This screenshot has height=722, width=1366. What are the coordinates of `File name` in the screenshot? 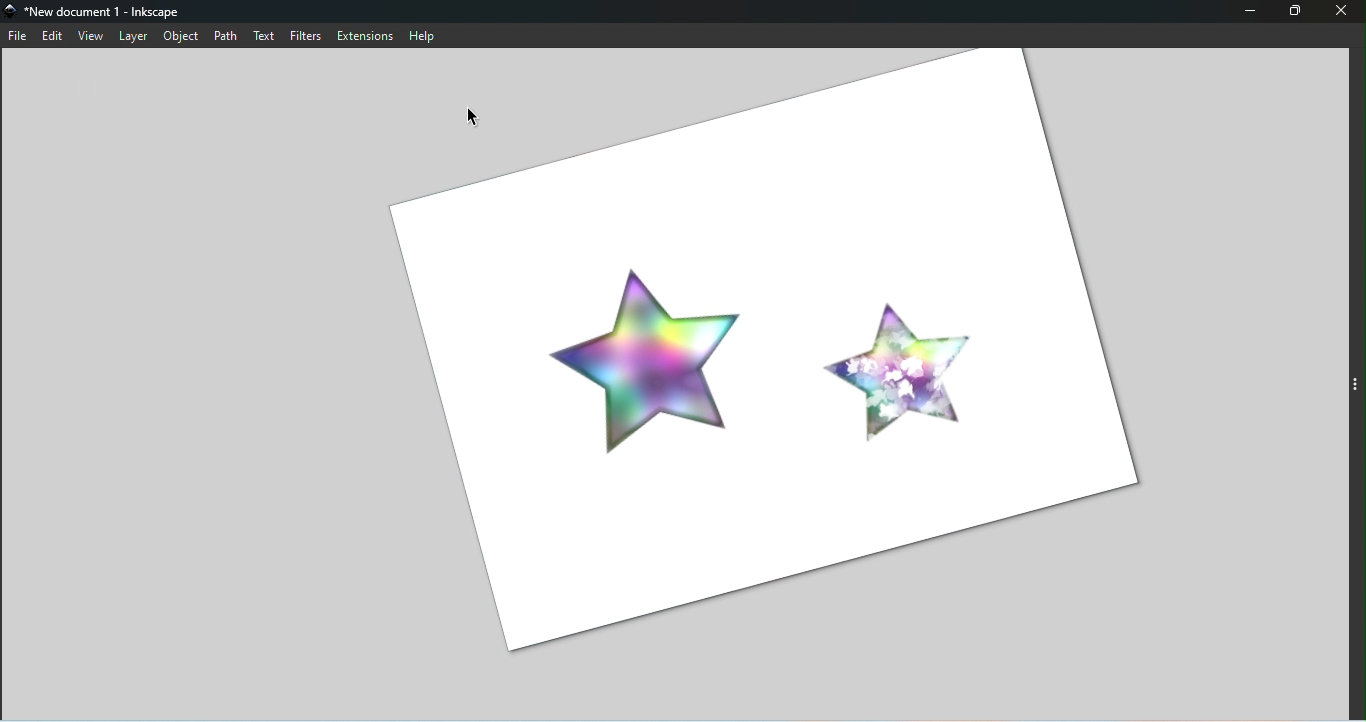 It's located at (106, 12).